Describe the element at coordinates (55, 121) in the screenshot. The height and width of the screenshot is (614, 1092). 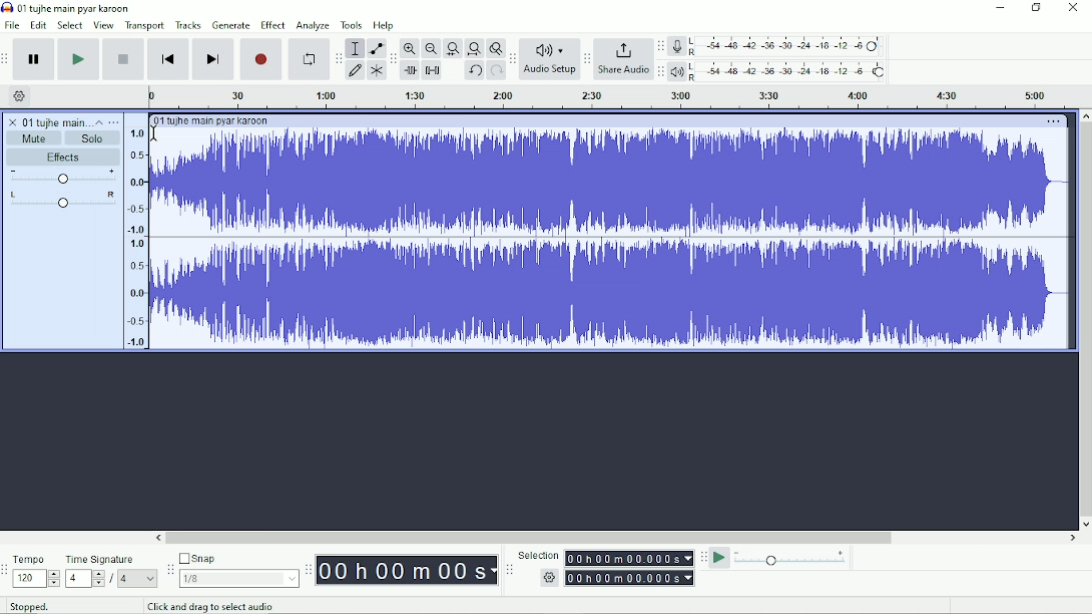
I see `01 tujhe main` at that location.